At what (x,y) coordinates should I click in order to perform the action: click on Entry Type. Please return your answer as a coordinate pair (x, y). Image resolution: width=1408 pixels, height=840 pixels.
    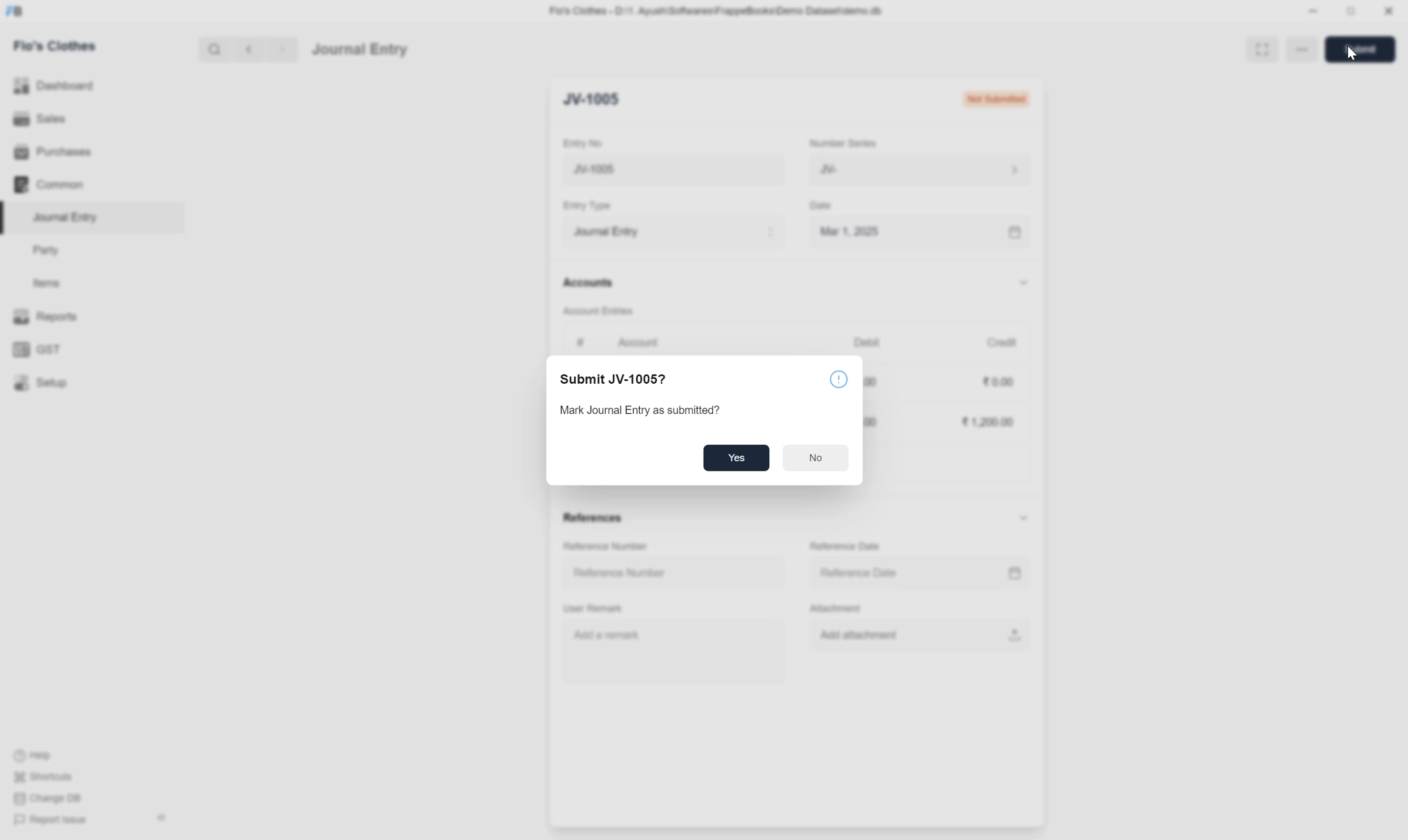
    Looking at the image, I should click on (591, 205).